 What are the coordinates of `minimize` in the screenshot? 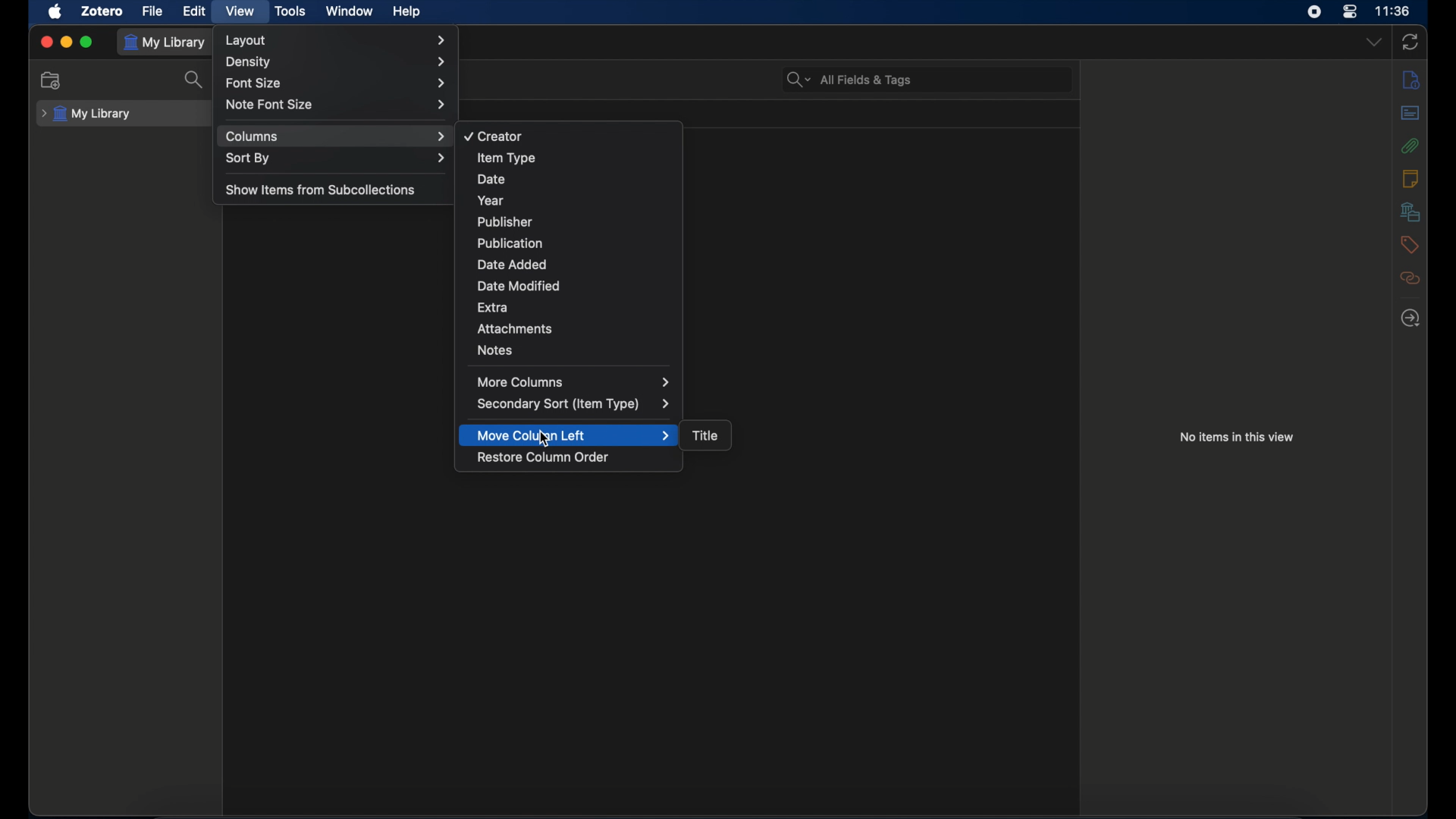 It's located at (67, 42).